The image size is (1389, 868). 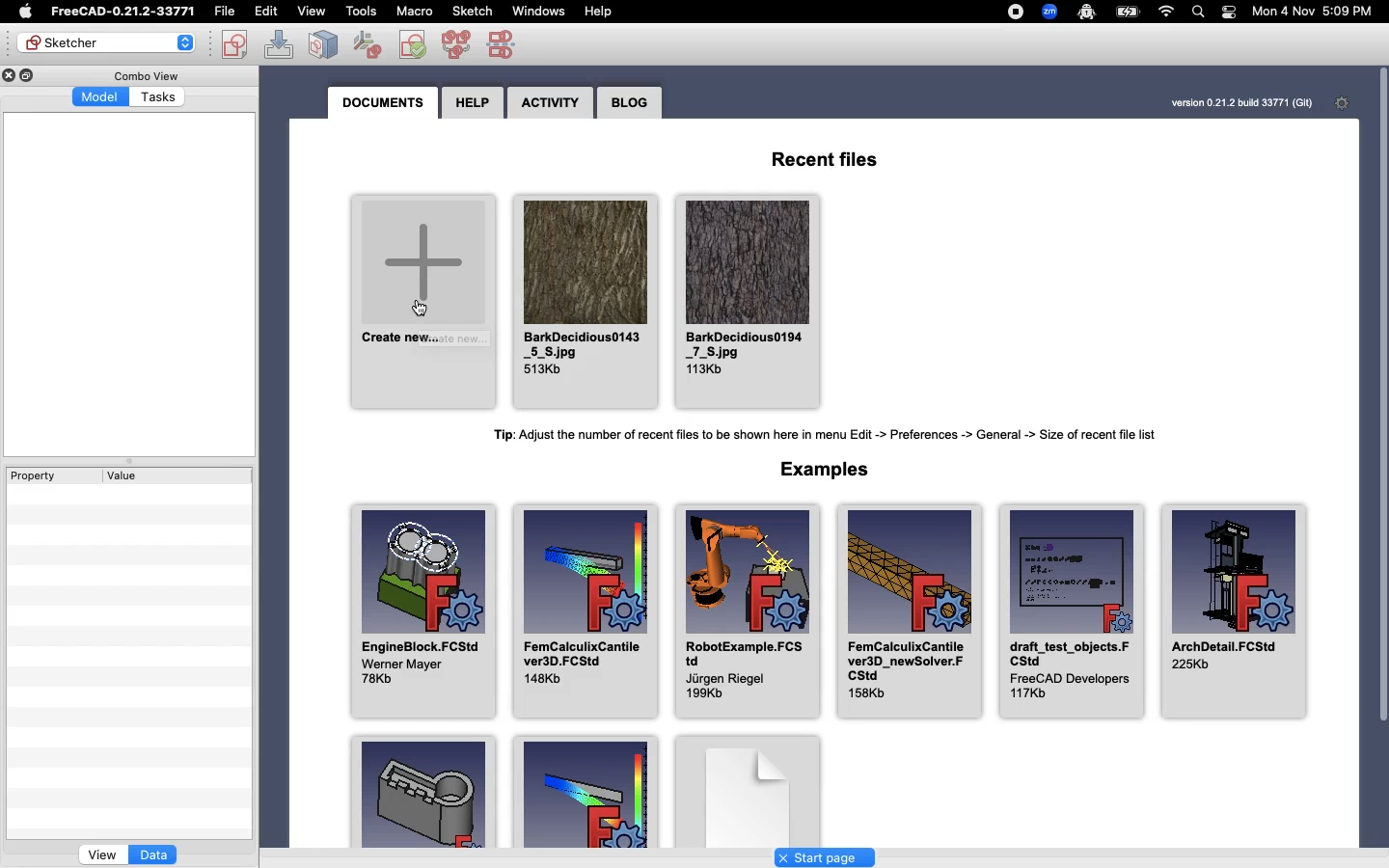 What do you see at coordinates (1344, 102) in the screenshot?
I see `Settings` at bounding box center [1344, 102].